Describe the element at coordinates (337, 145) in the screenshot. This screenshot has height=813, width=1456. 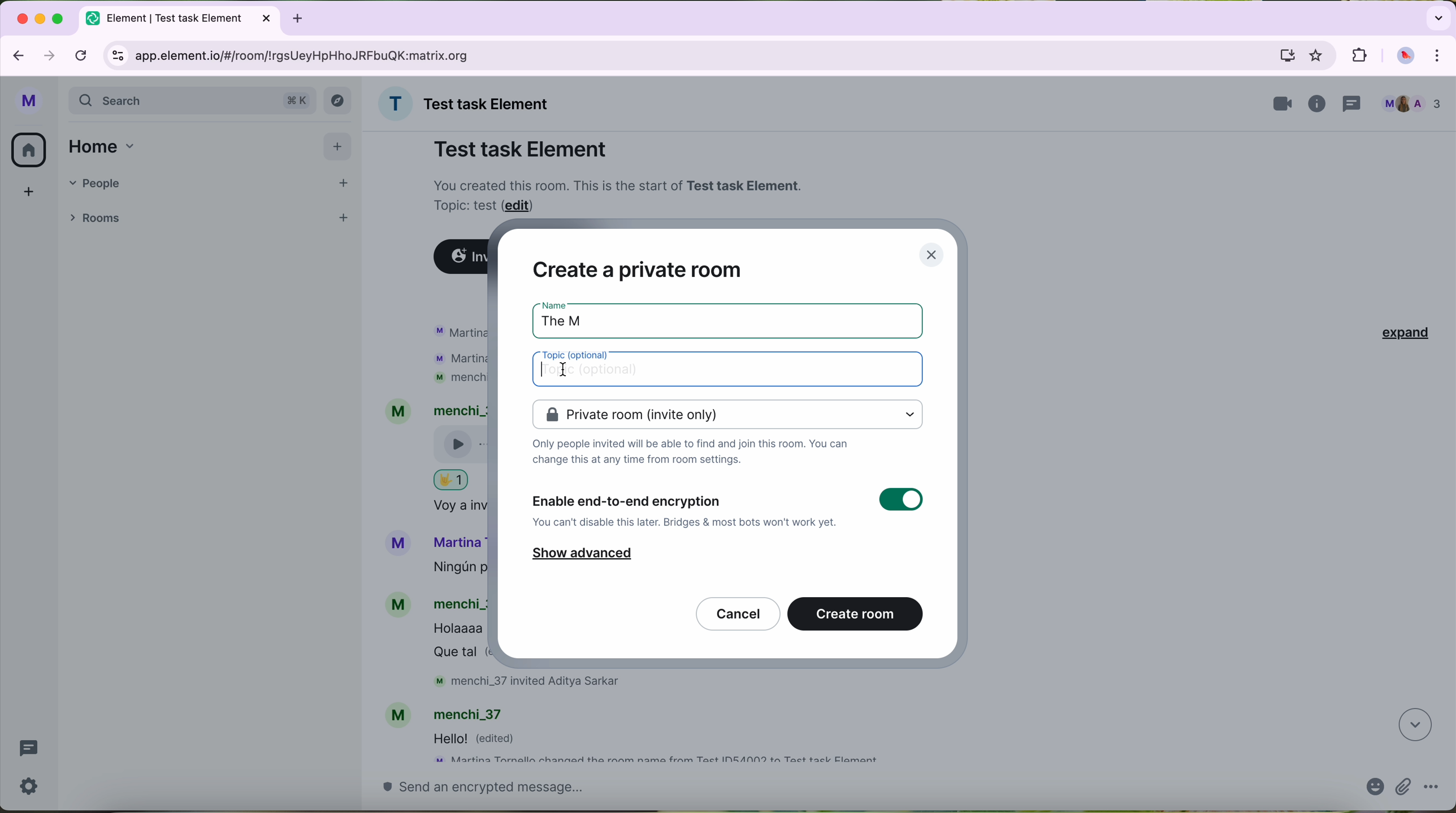
I see `add button` at that location.